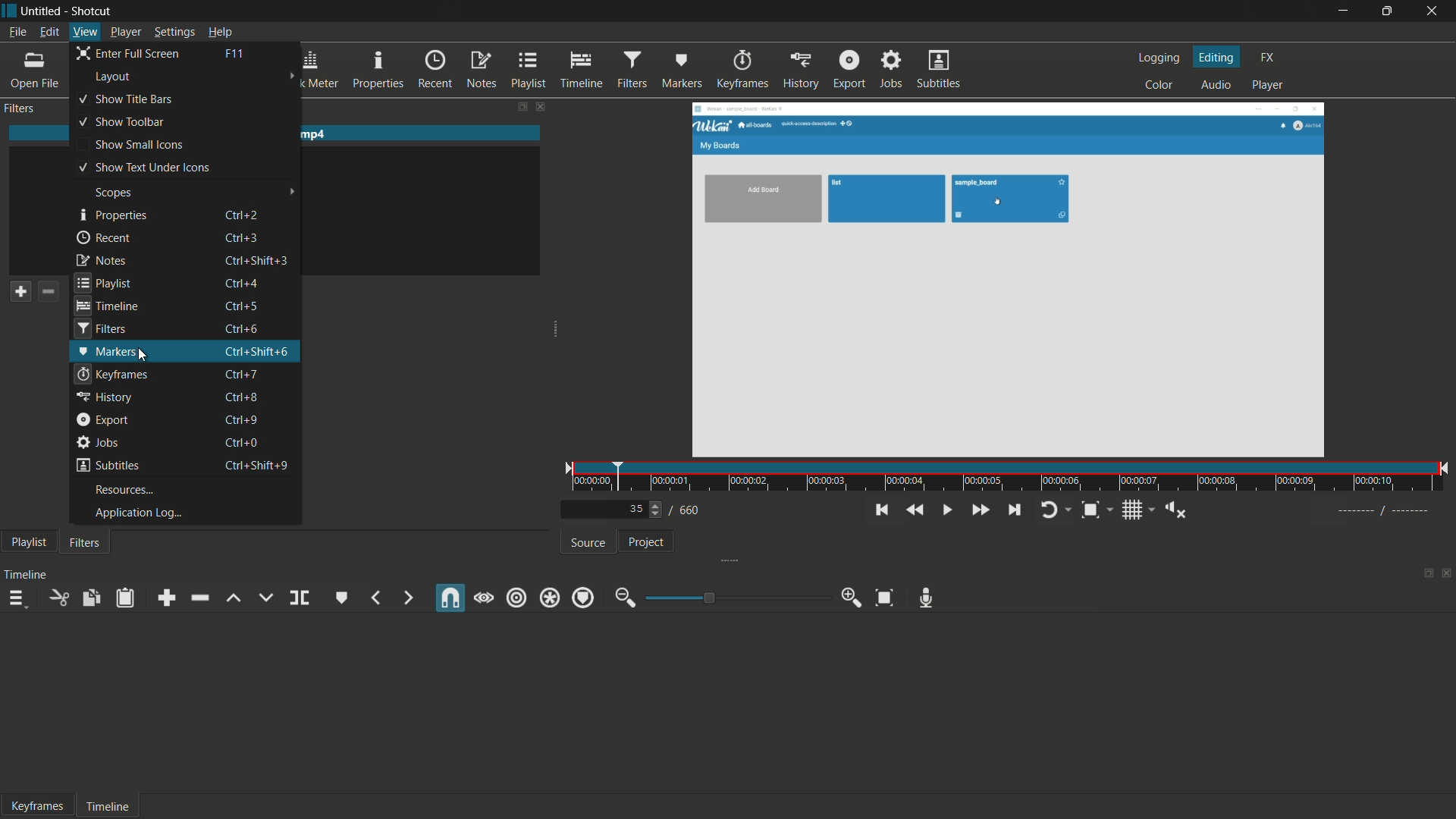 The image size is (1456, 819). What do you see at coordinates (17, 32) in the screenshot?
I see `file menu` at bounding box center [17, 32].